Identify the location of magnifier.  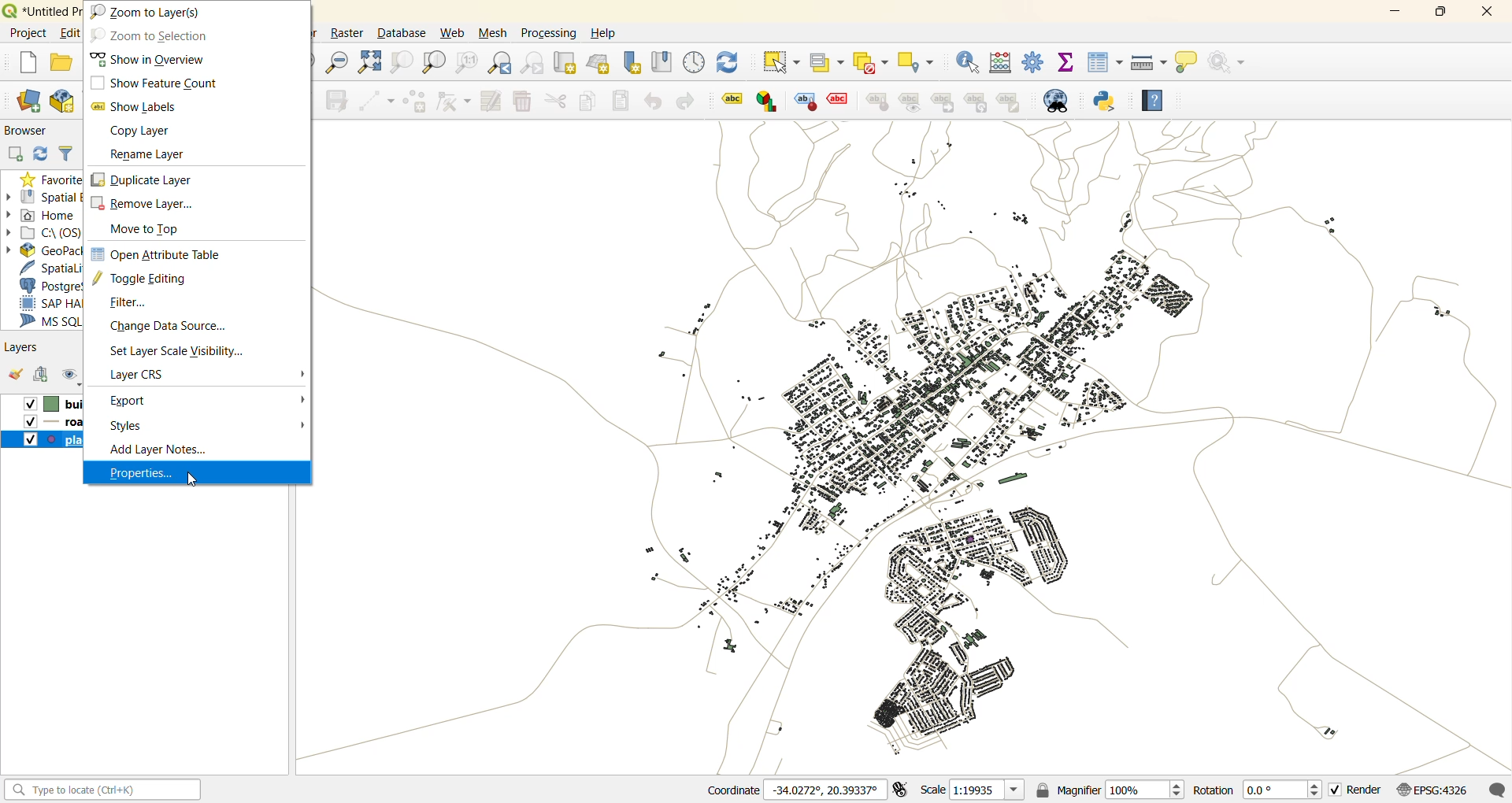
(1114, 790).